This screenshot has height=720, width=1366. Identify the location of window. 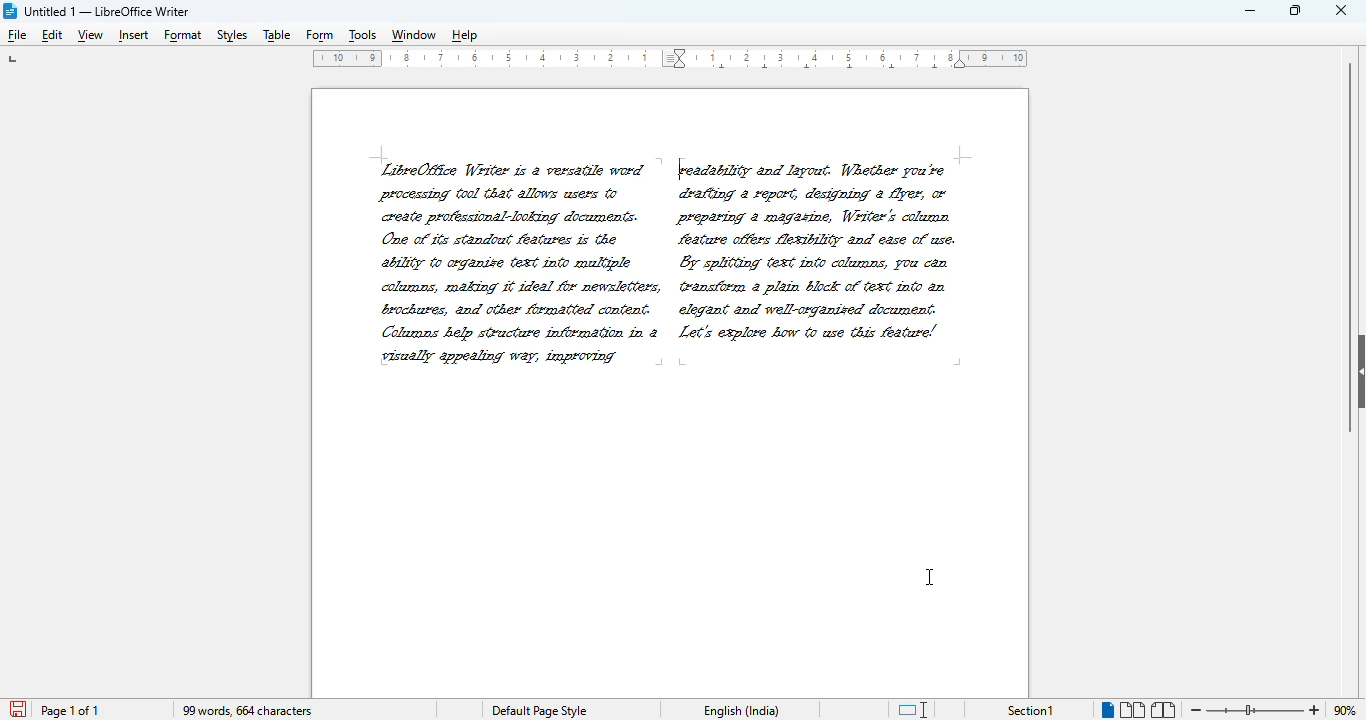
(413, 37).